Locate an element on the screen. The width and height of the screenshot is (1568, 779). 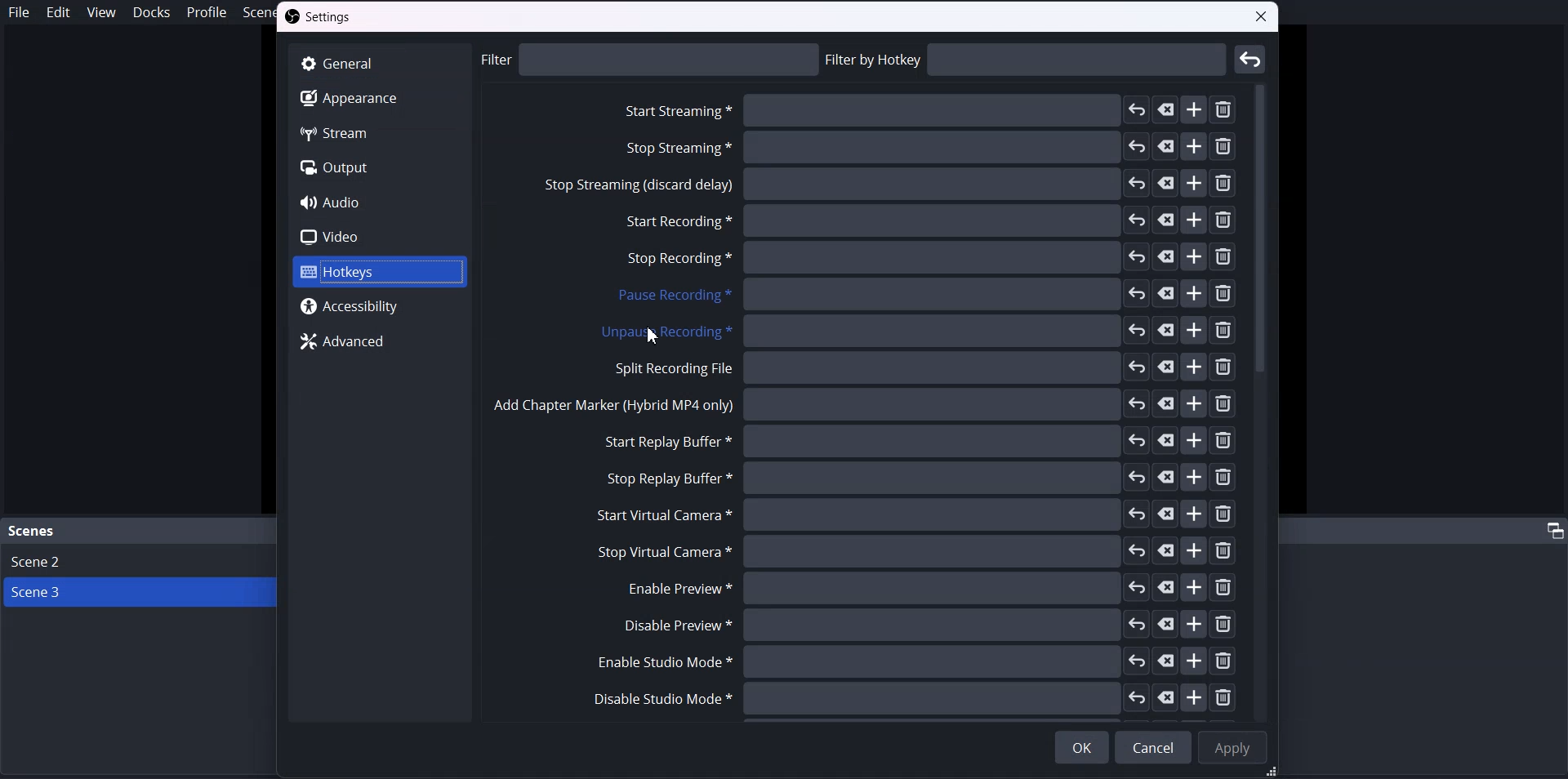
Start virtual camera is located at coordinates (916, 514).